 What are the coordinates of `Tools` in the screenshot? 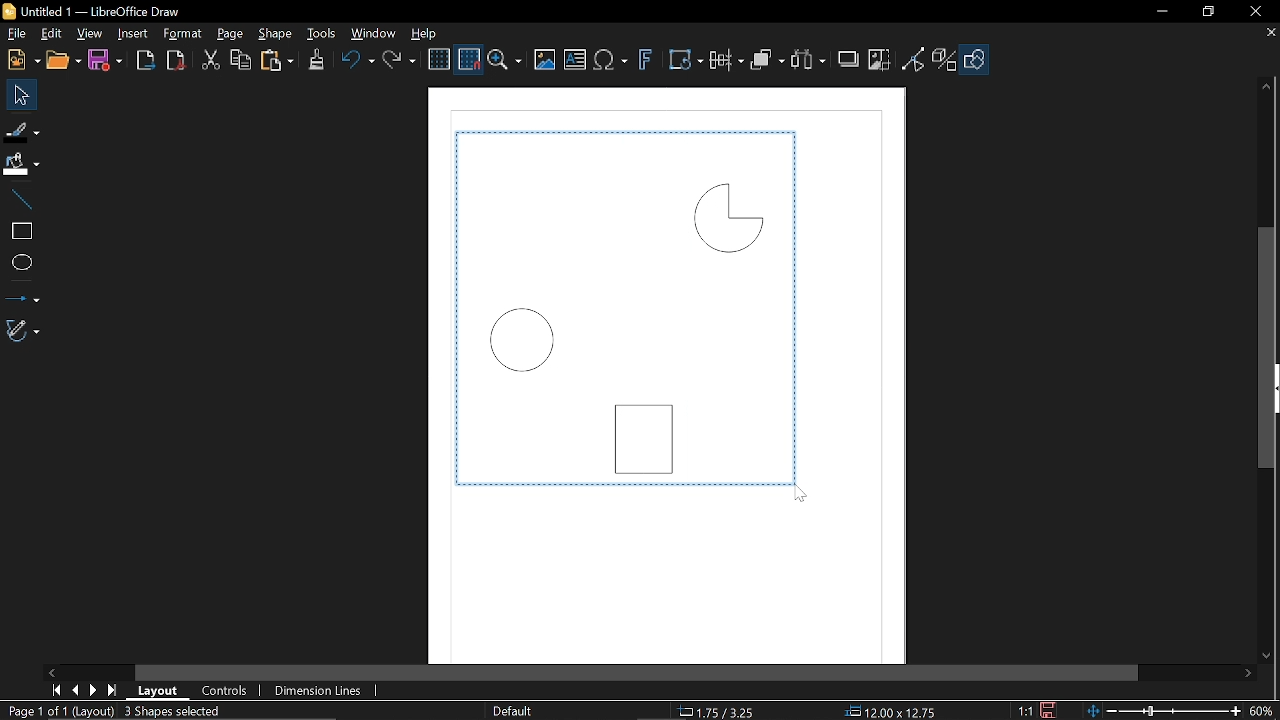 It's located at (321, 34).